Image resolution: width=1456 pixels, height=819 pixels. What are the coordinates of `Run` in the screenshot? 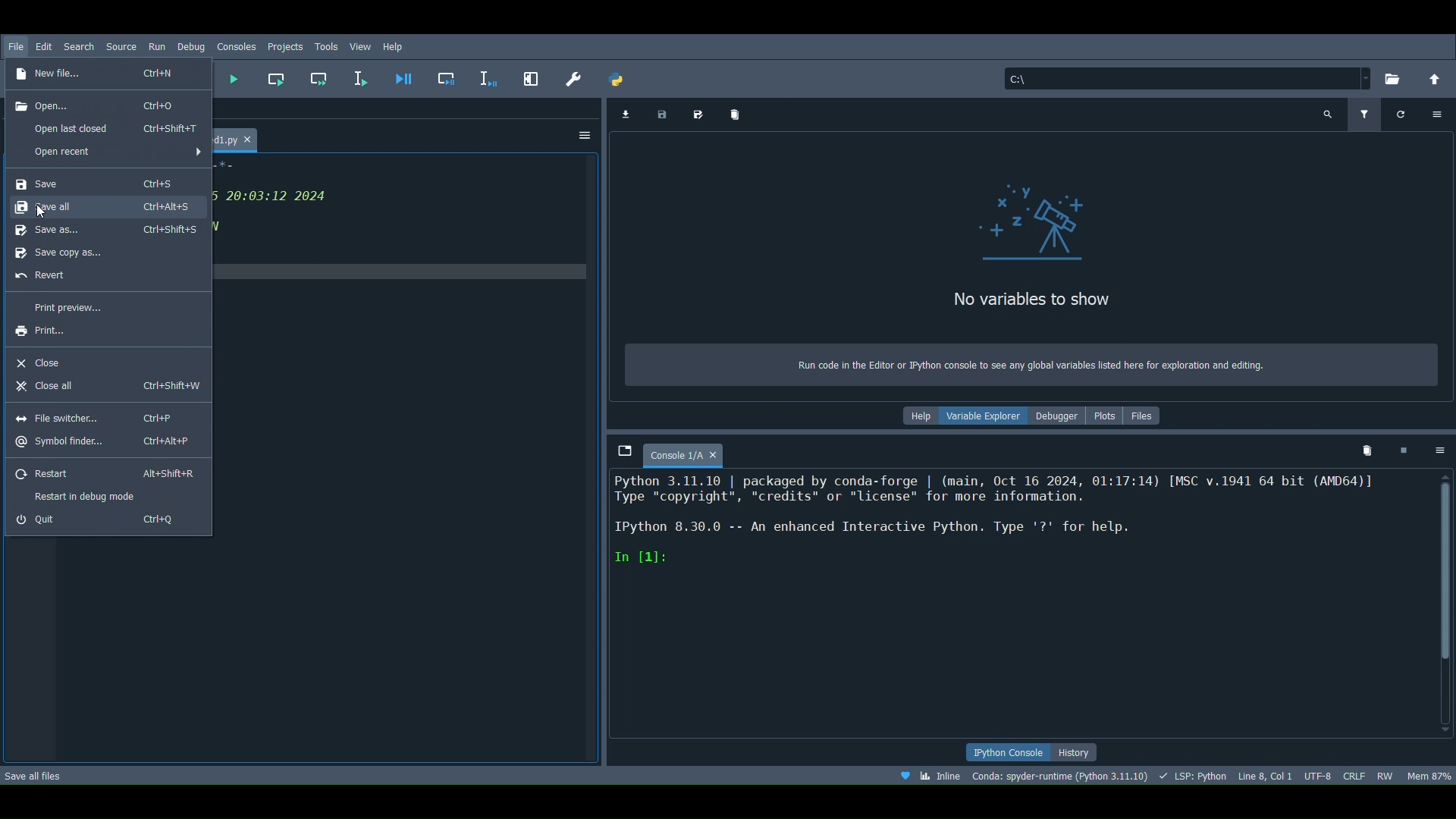 It's located at (155, 45).